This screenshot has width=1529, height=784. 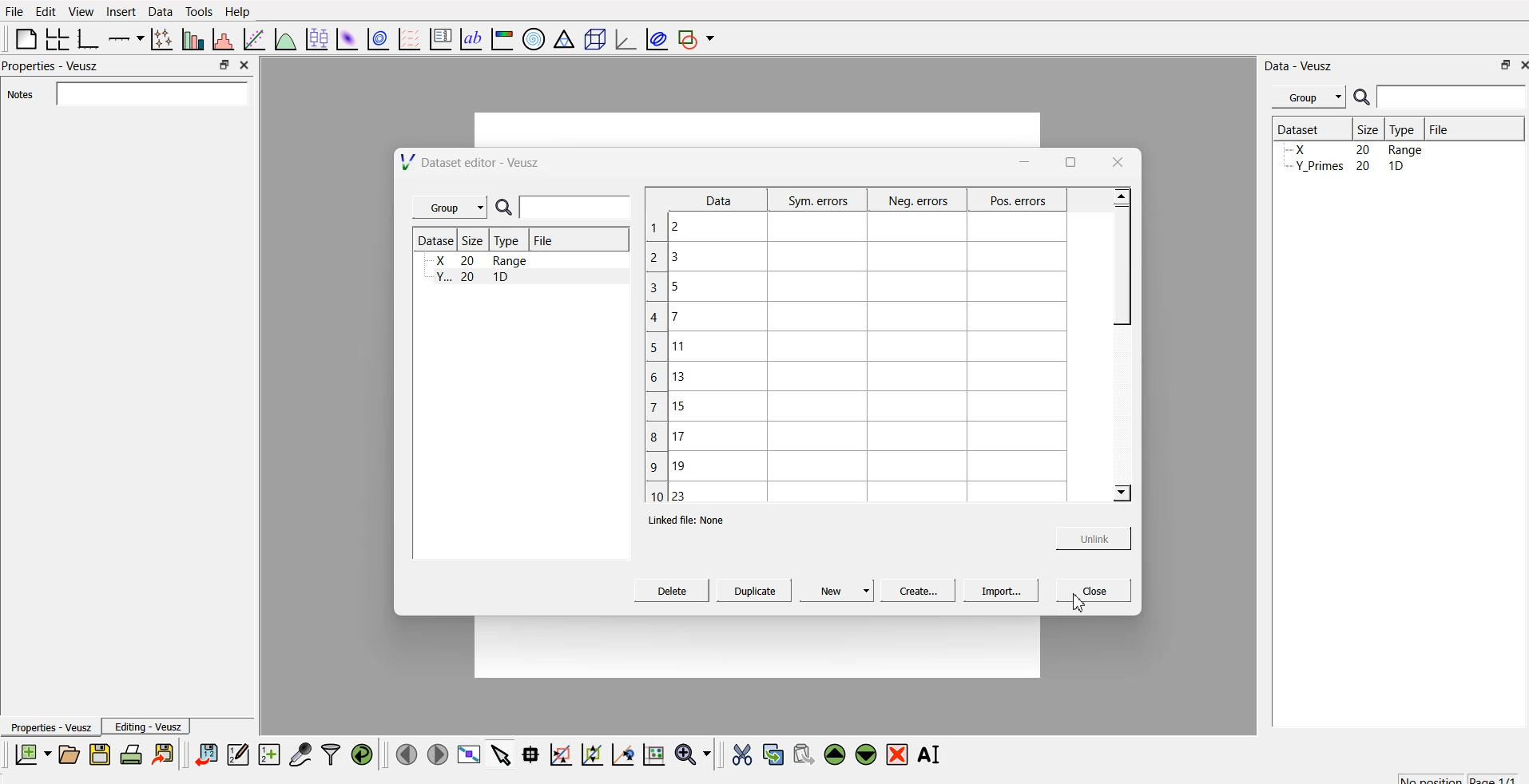 I want to click on editor, so click(x=239, y=754).